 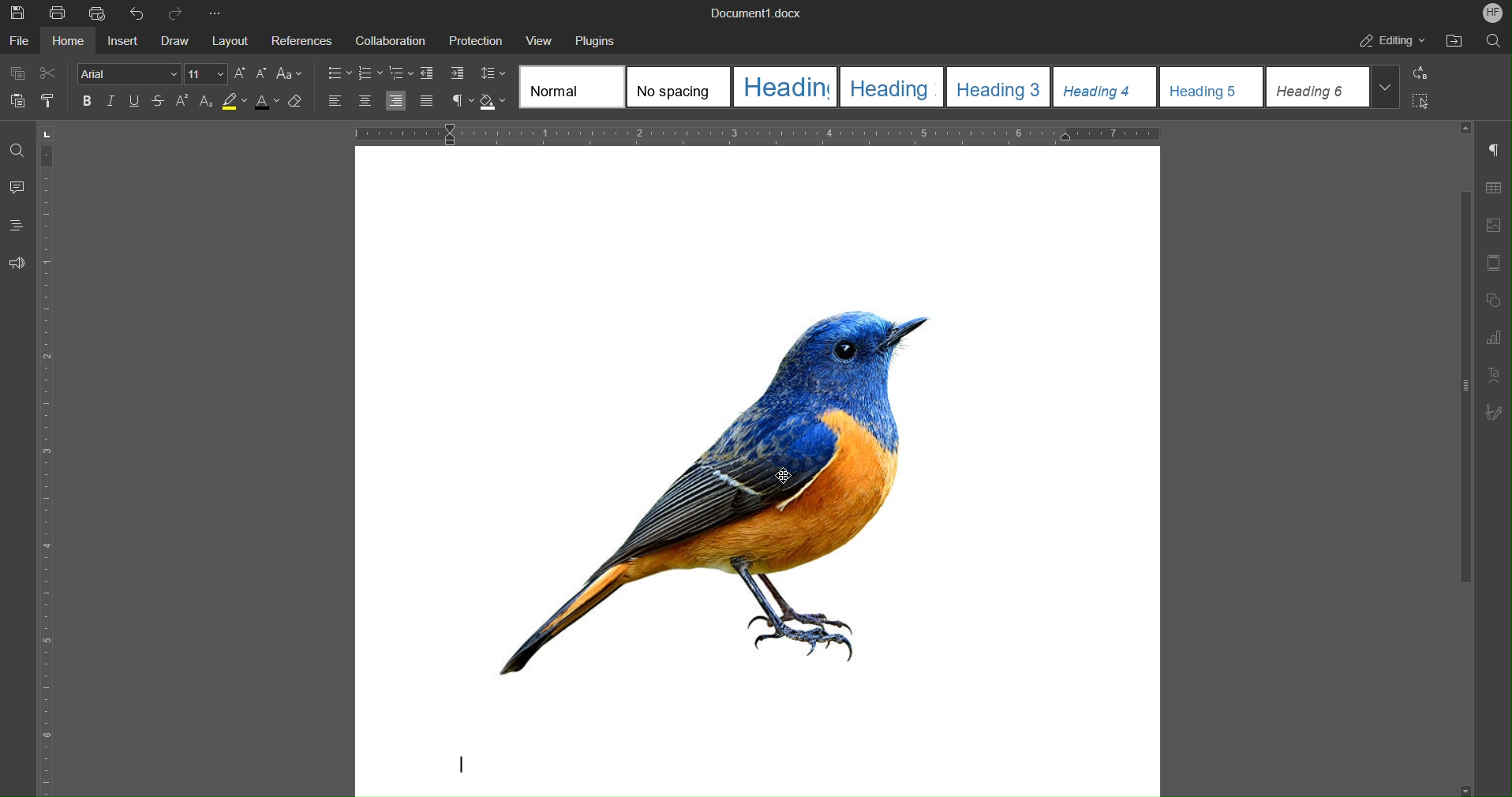 I want to click on Justify, so click(x=426, y=100).